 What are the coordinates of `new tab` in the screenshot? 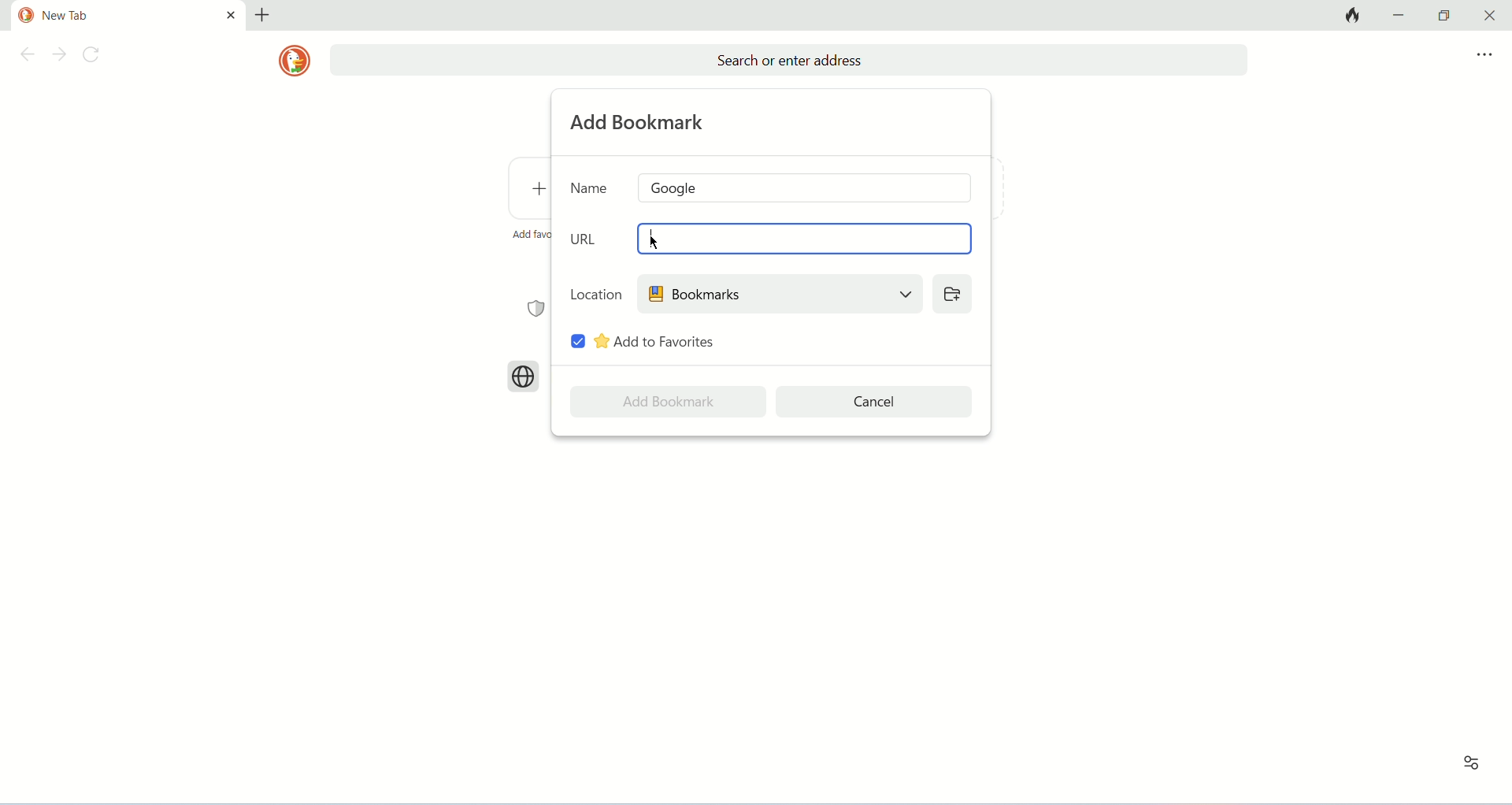 It's located at (262, 15).